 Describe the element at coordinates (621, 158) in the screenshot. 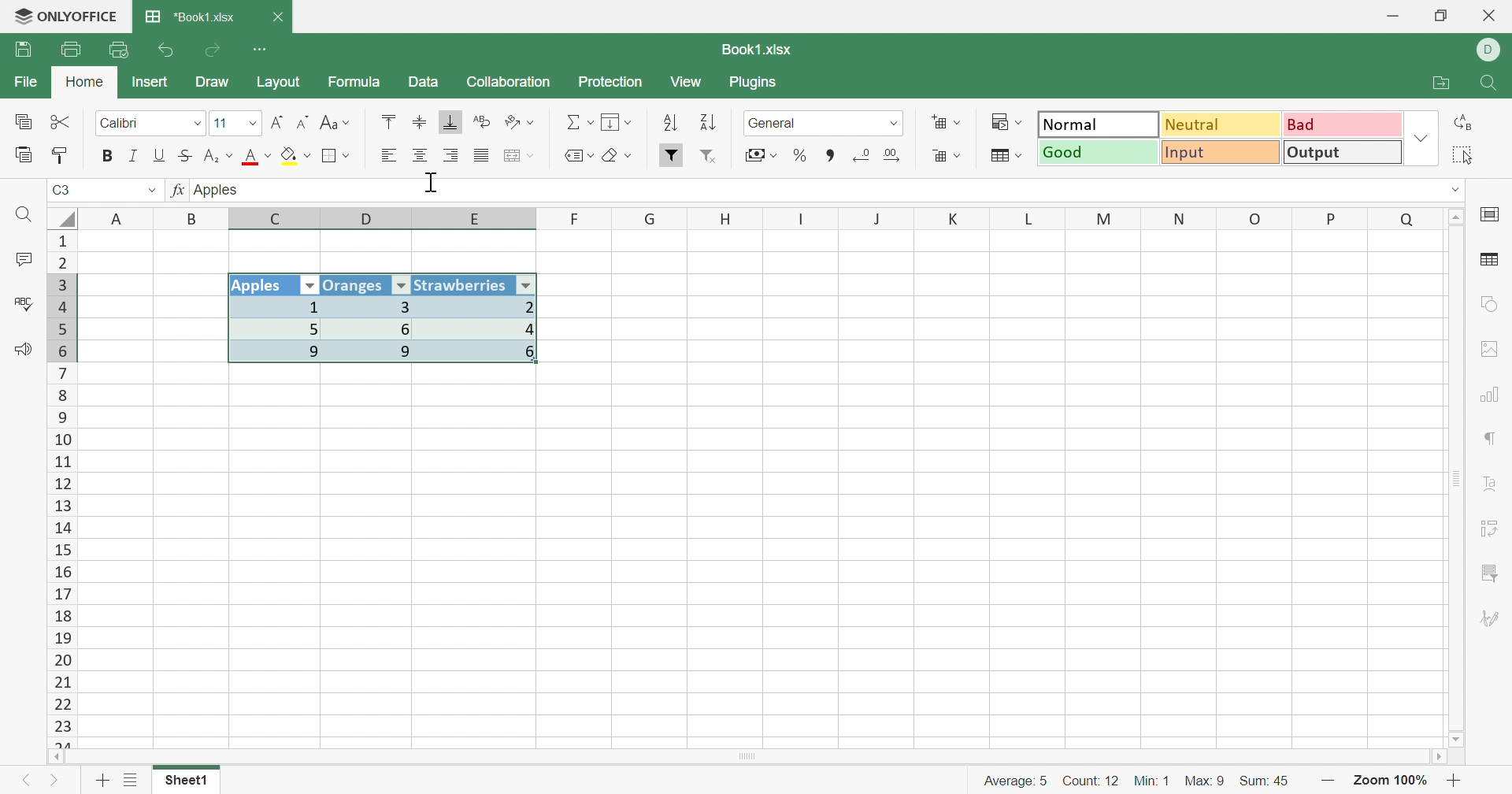

I see `Clear` at that location.